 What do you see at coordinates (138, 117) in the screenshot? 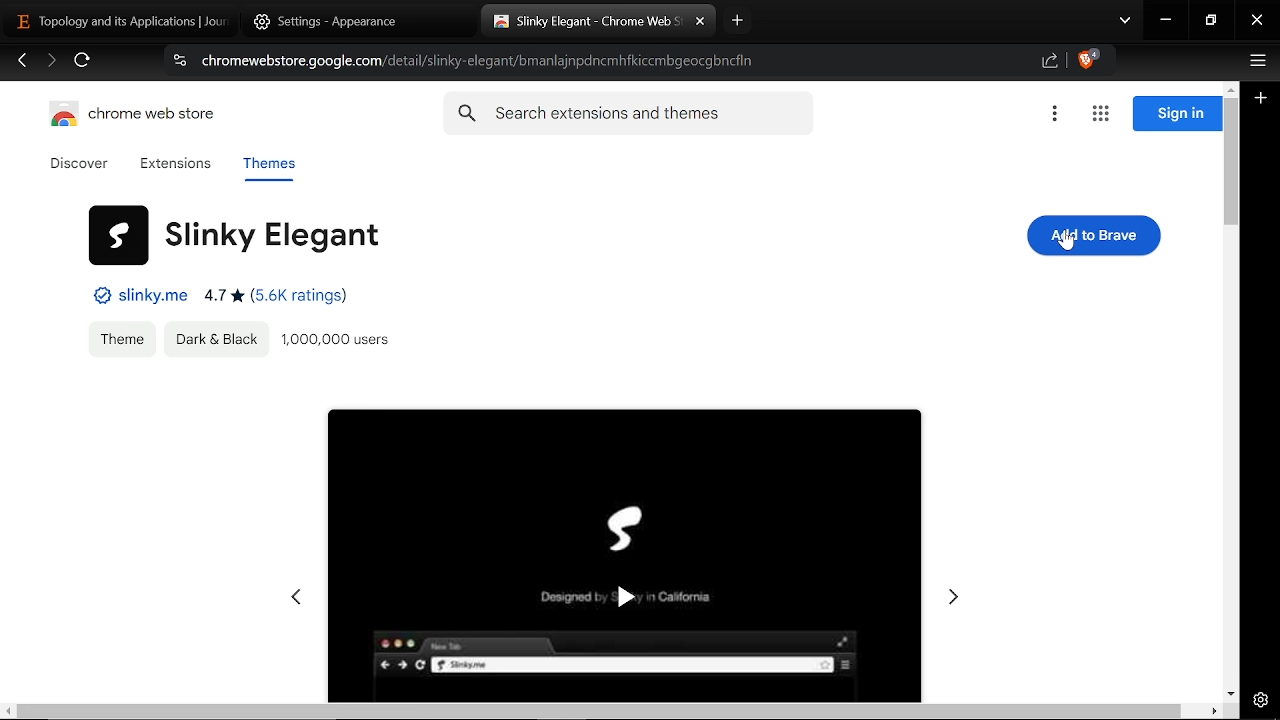
I see `Chrome web store` at bounding box center [138, 117].